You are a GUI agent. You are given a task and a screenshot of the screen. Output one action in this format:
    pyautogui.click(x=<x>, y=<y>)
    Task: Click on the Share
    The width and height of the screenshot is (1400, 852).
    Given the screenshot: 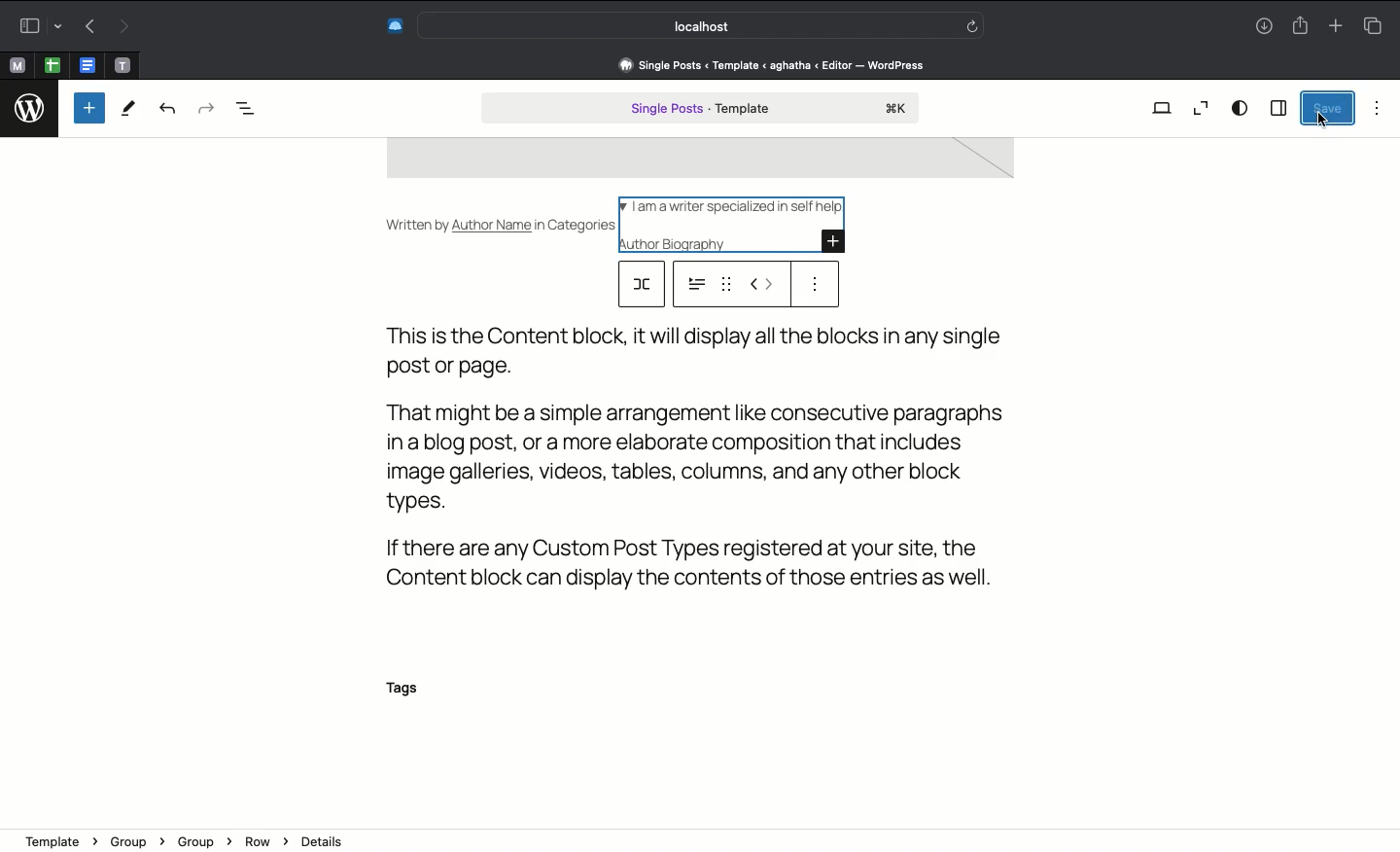 What is the action you would take?
    pyautogui.click(x=1300, y=26)
    